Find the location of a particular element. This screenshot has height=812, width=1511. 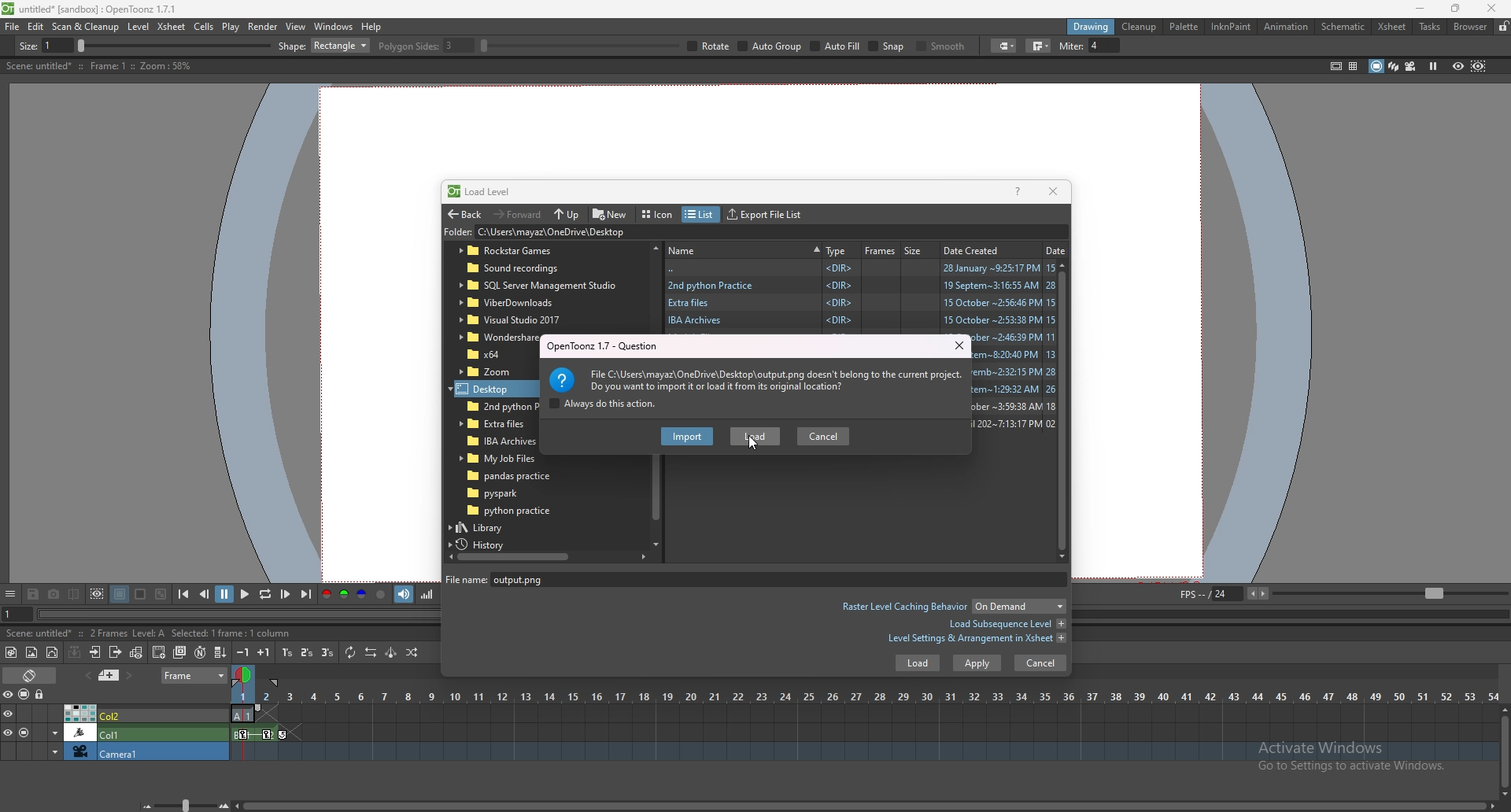

description is located at coordinates (98, 66).